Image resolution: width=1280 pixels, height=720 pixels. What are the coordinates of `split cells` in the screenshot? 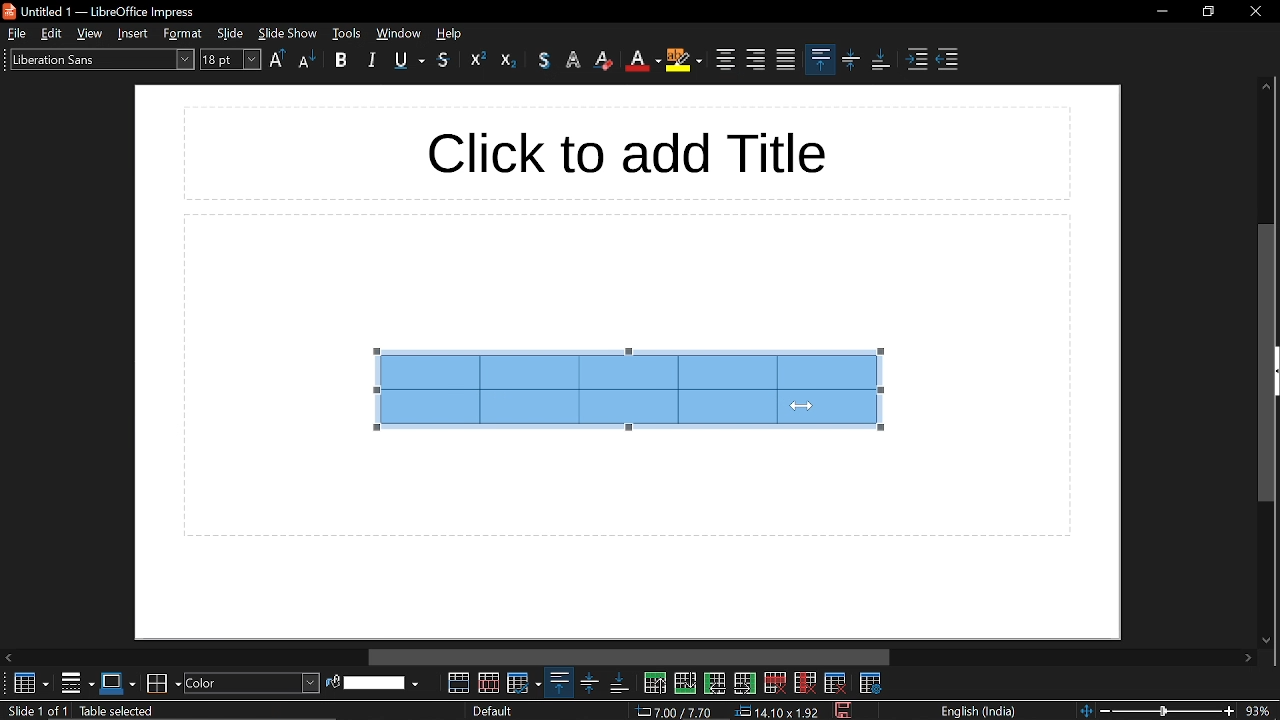 It's located at (489, 683).